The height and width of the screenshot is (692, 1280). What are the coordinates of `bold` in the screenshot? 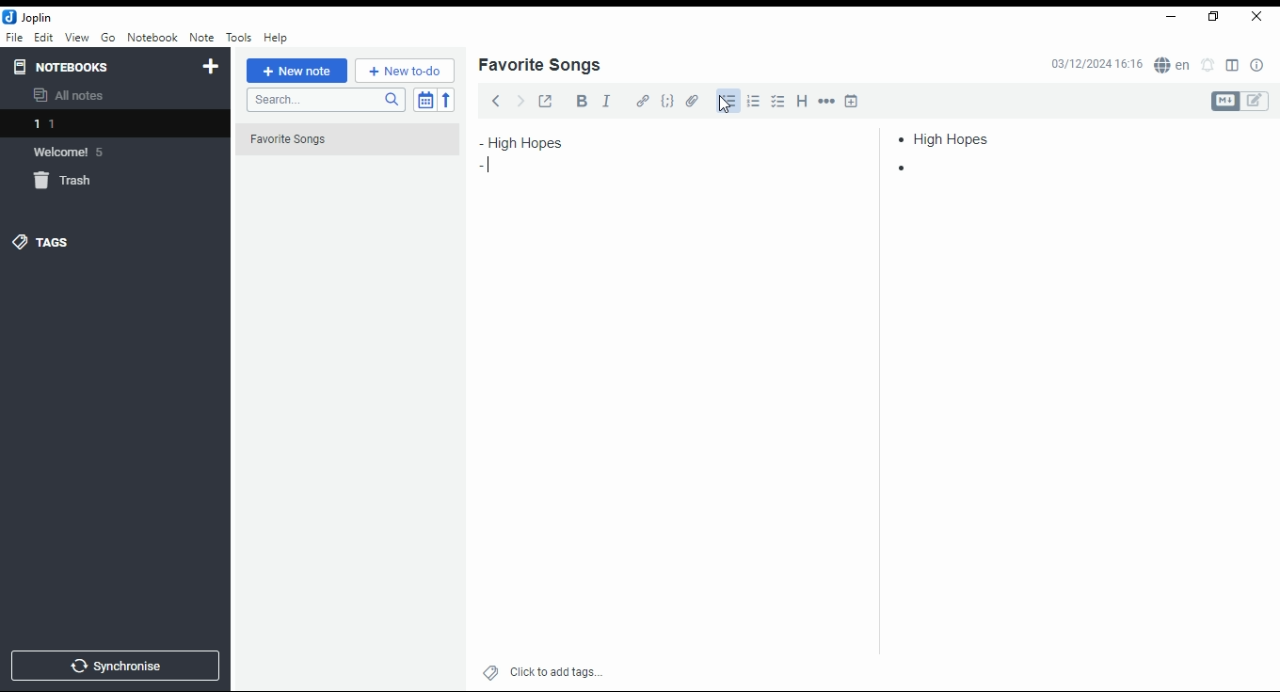 It's located at (581, 101).